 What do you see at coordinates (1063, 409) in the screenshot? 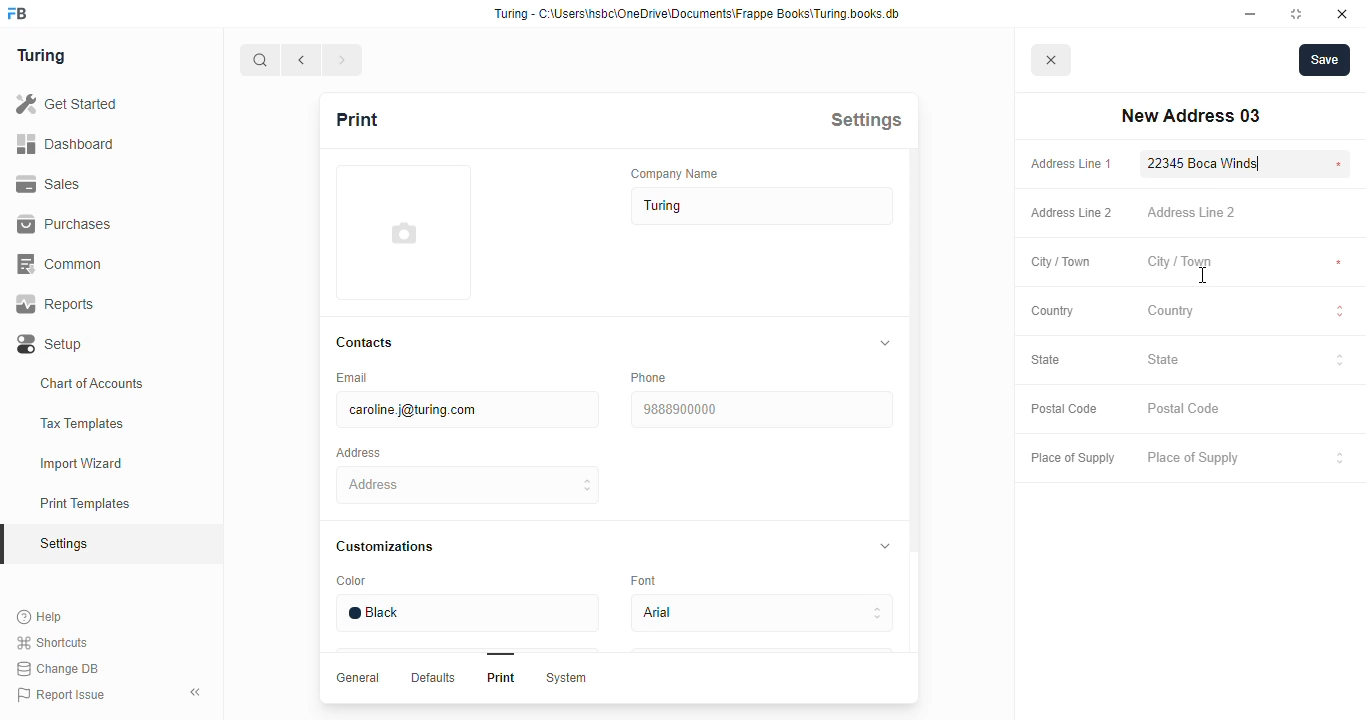
I see `postal code` at bounding box center [1063, 409].